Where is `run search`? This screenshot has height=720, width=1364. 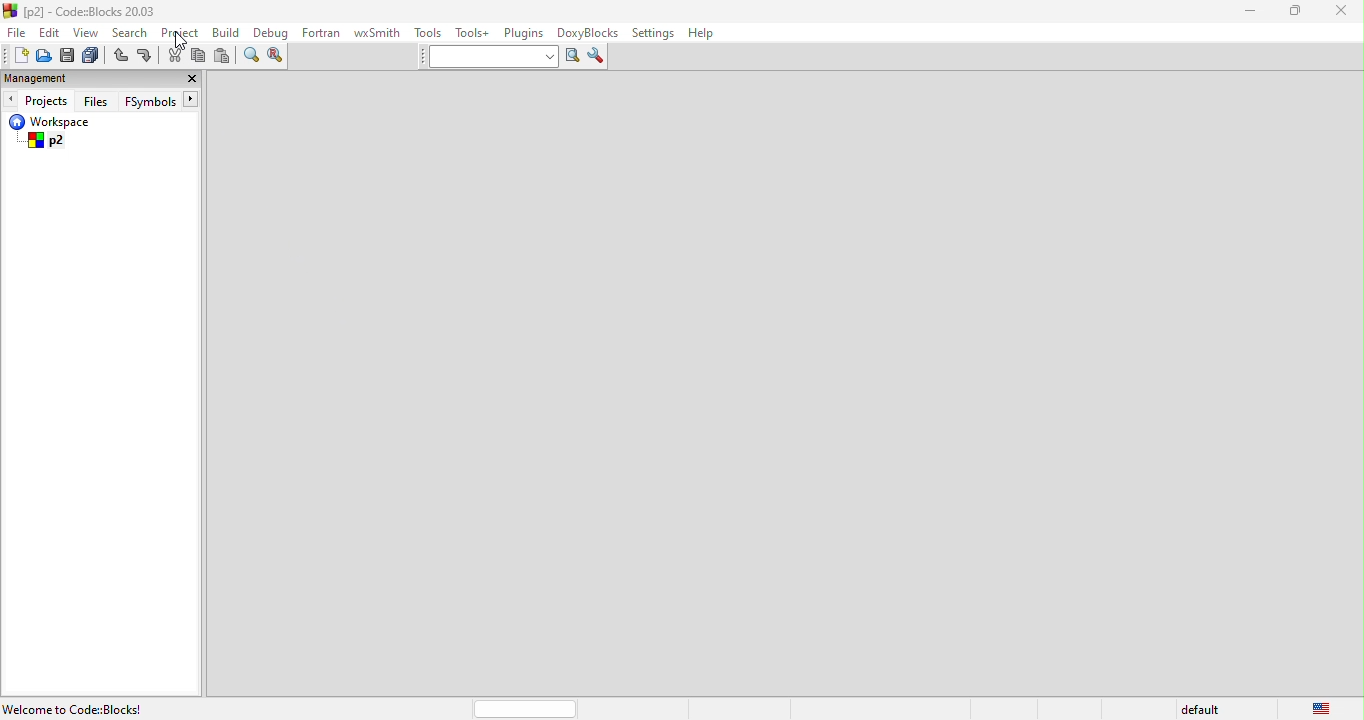 run search is located at coordinates (571, 57).